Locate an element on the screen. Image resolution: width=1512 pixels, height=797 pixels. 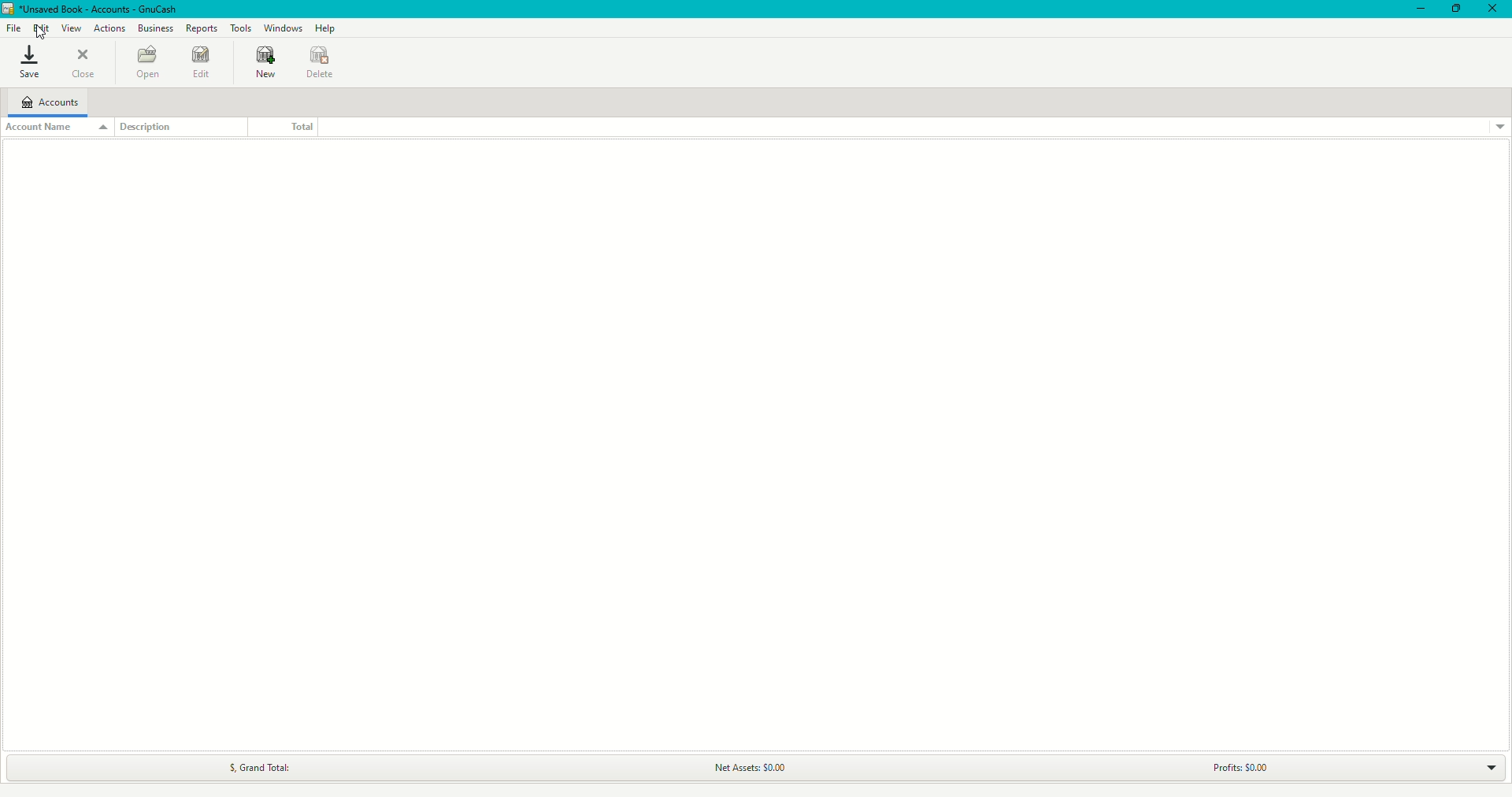
Minimize is located at coordinates (1417, 9).